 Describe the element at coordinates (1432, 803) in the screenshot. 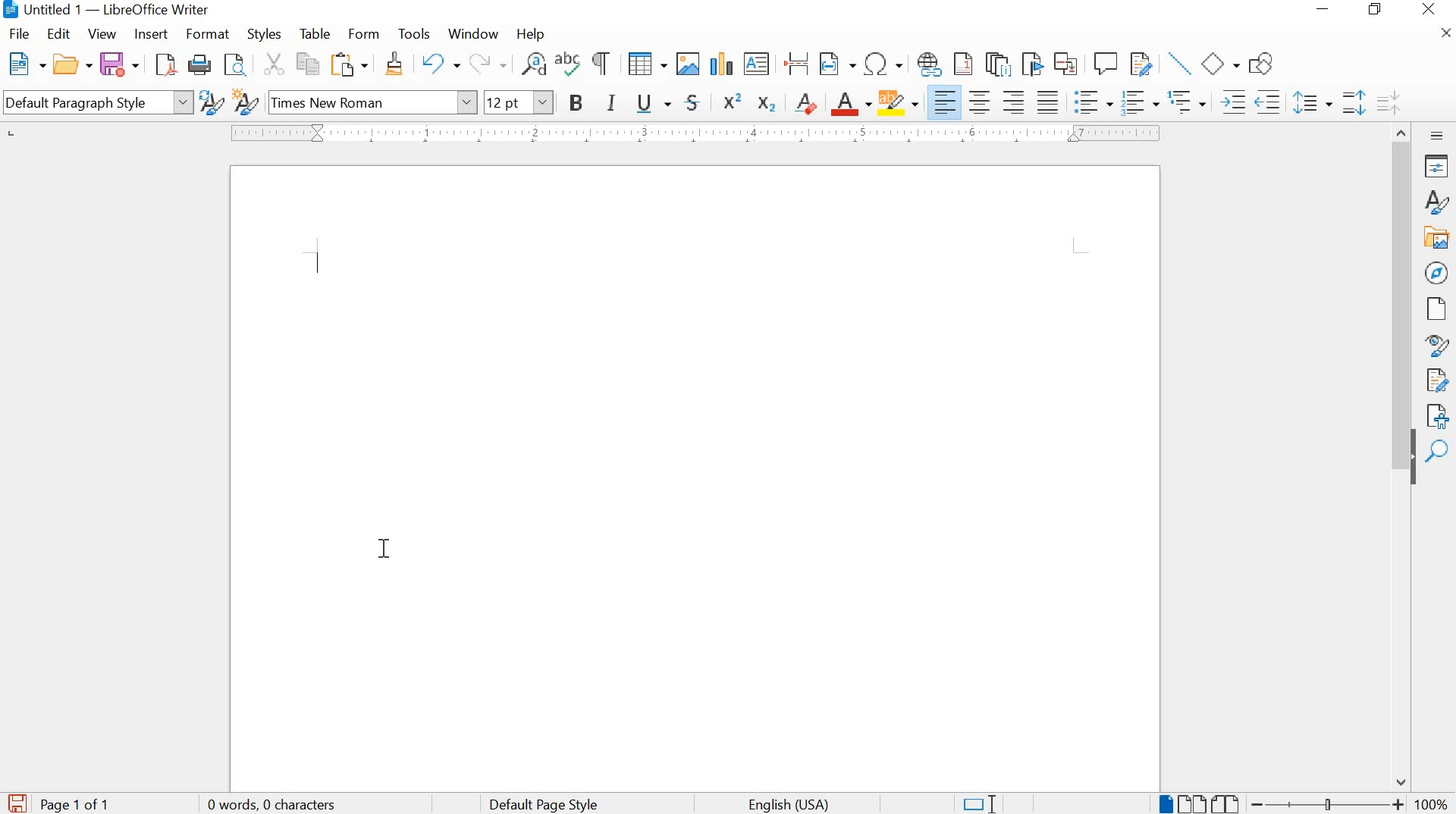

I see `ZOOM FACTOR` at that location.